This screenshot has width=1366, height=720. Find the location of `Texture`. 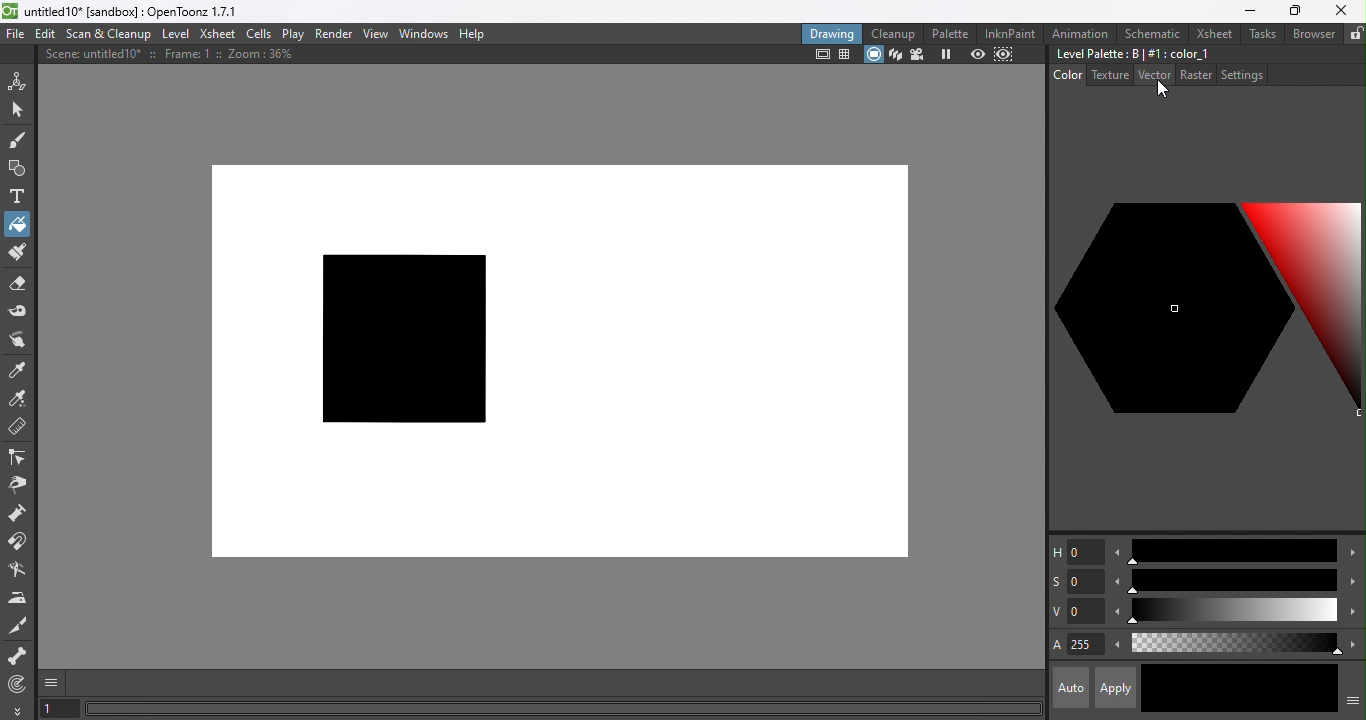

Texture is located at coordinates (1108, 75).